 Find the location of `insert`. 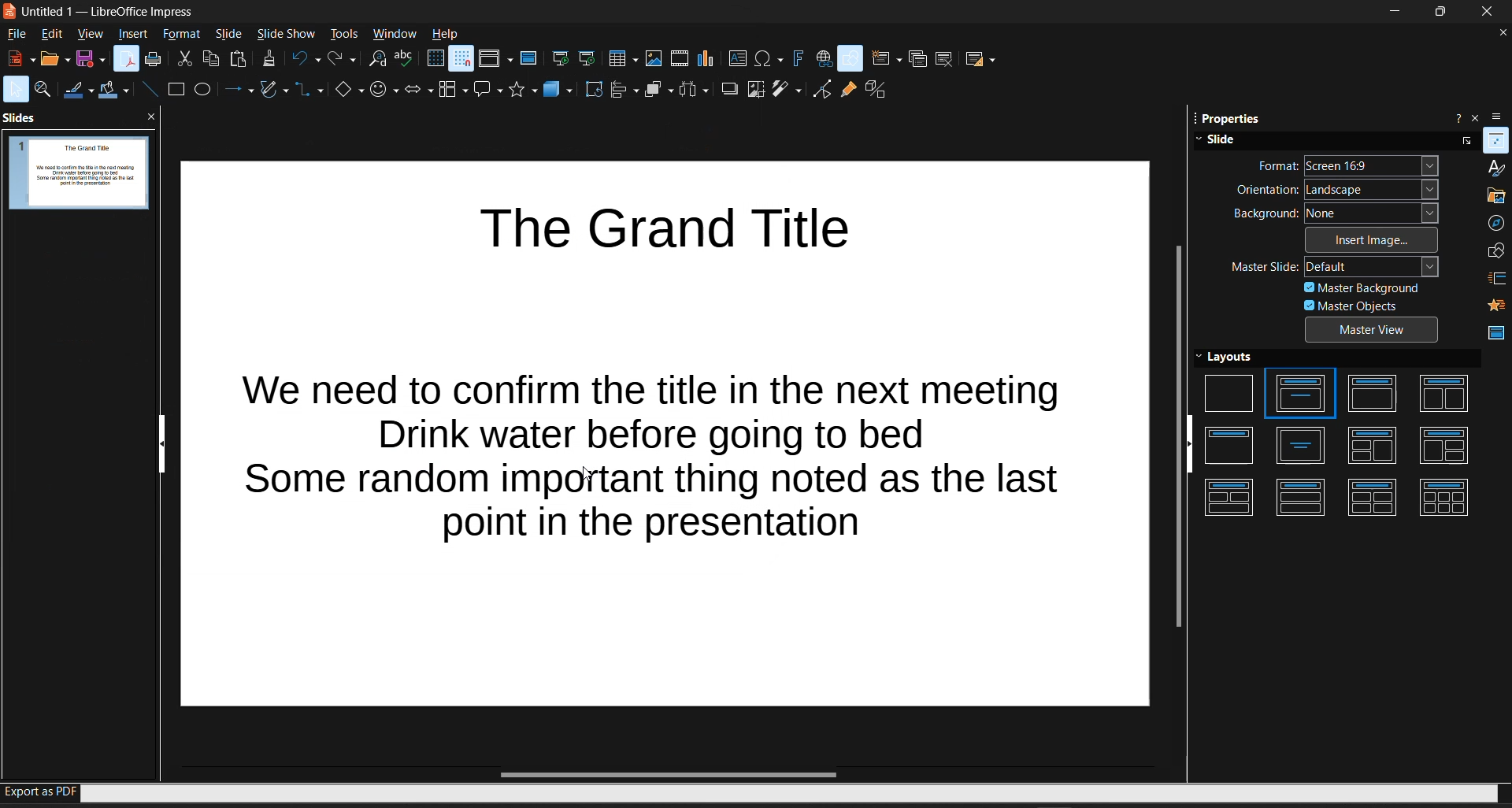

insert is located at coordinates (132, 33).